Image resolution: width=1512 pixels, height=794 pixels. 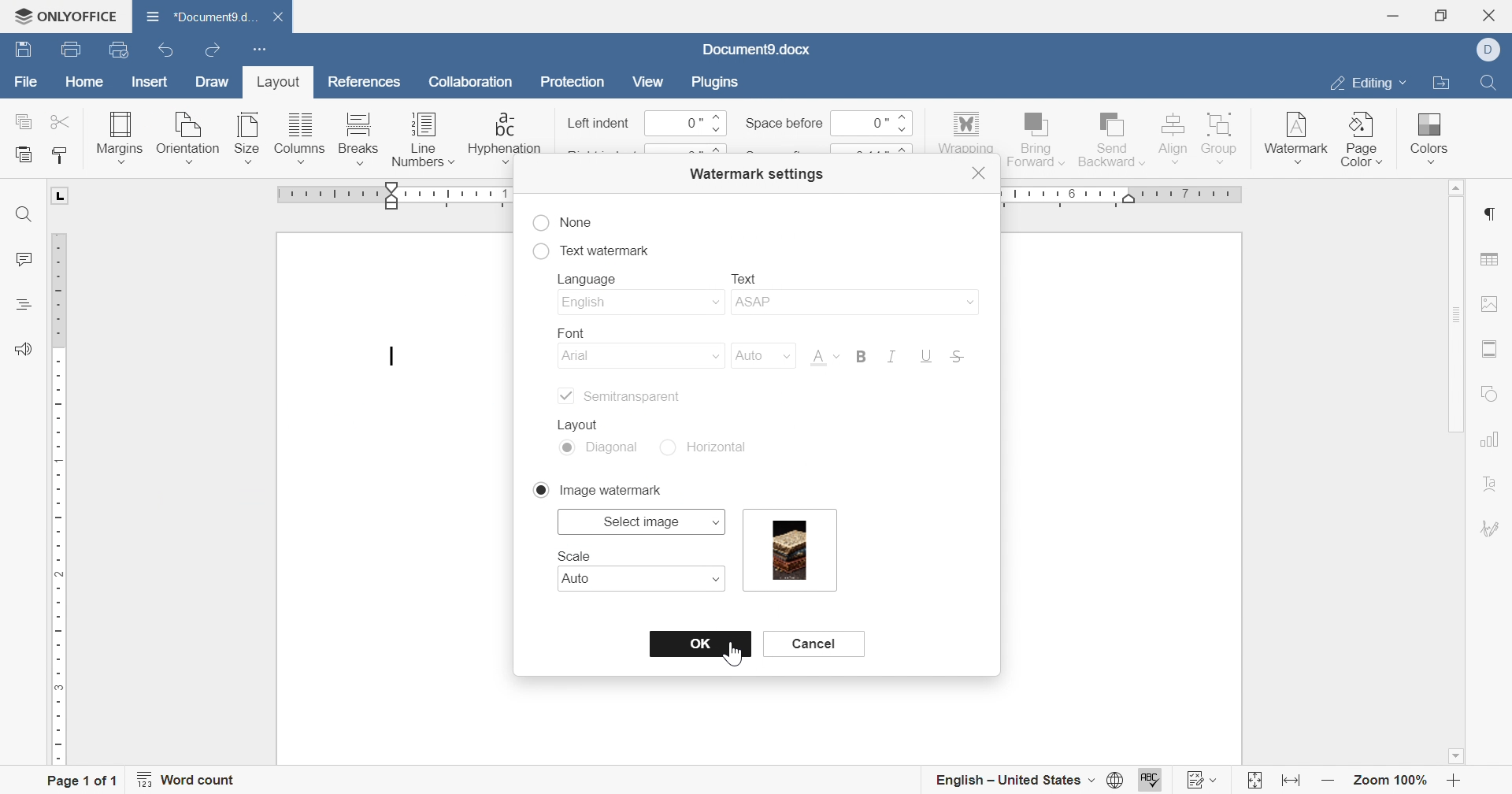 What do you see at coordinates (27, 86) in the screenshot?
I see `file` at bounding box center [27, 86].